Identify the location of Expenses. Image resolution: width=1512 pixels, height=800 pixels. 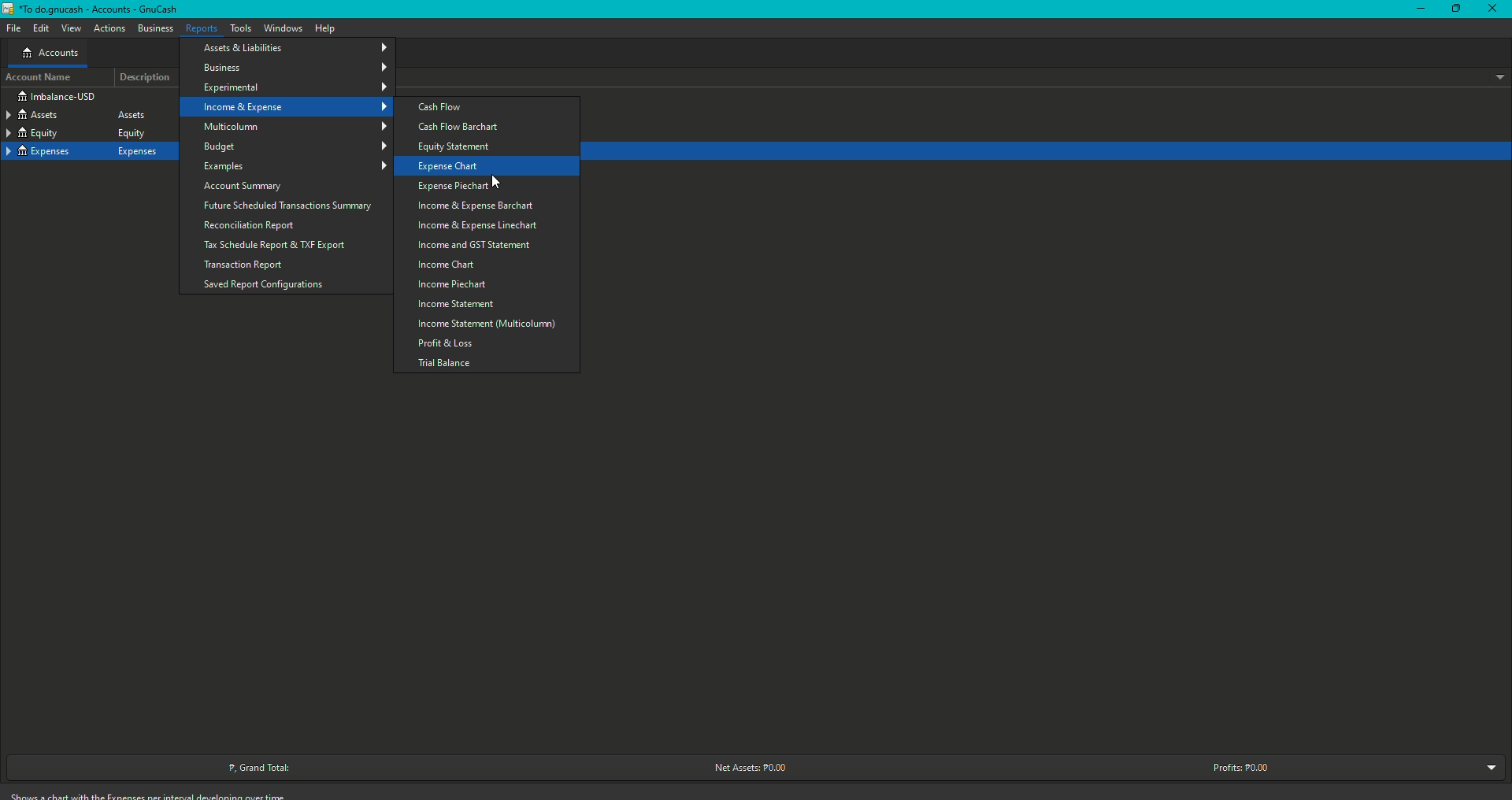
(89, 150).